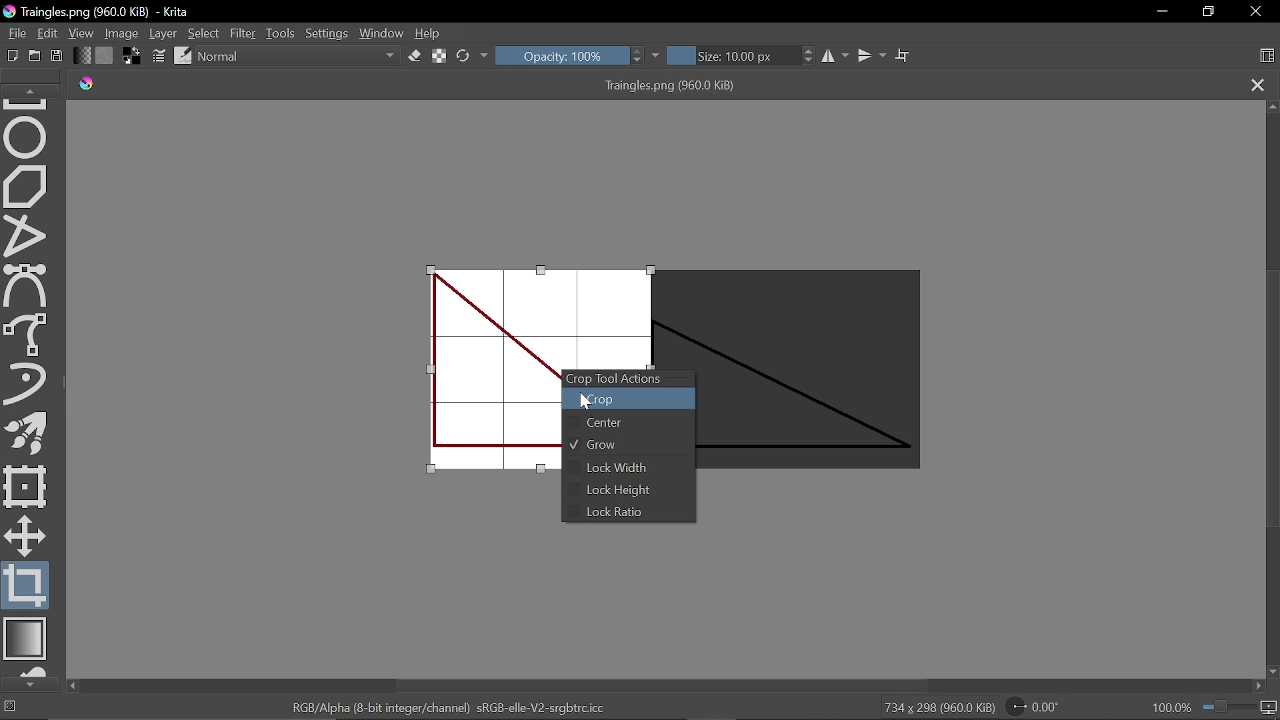 This screenshot has width=1280, height=720. Describe the element at coordinates (382, 33) in the screenshot. I see `Window` at that location.